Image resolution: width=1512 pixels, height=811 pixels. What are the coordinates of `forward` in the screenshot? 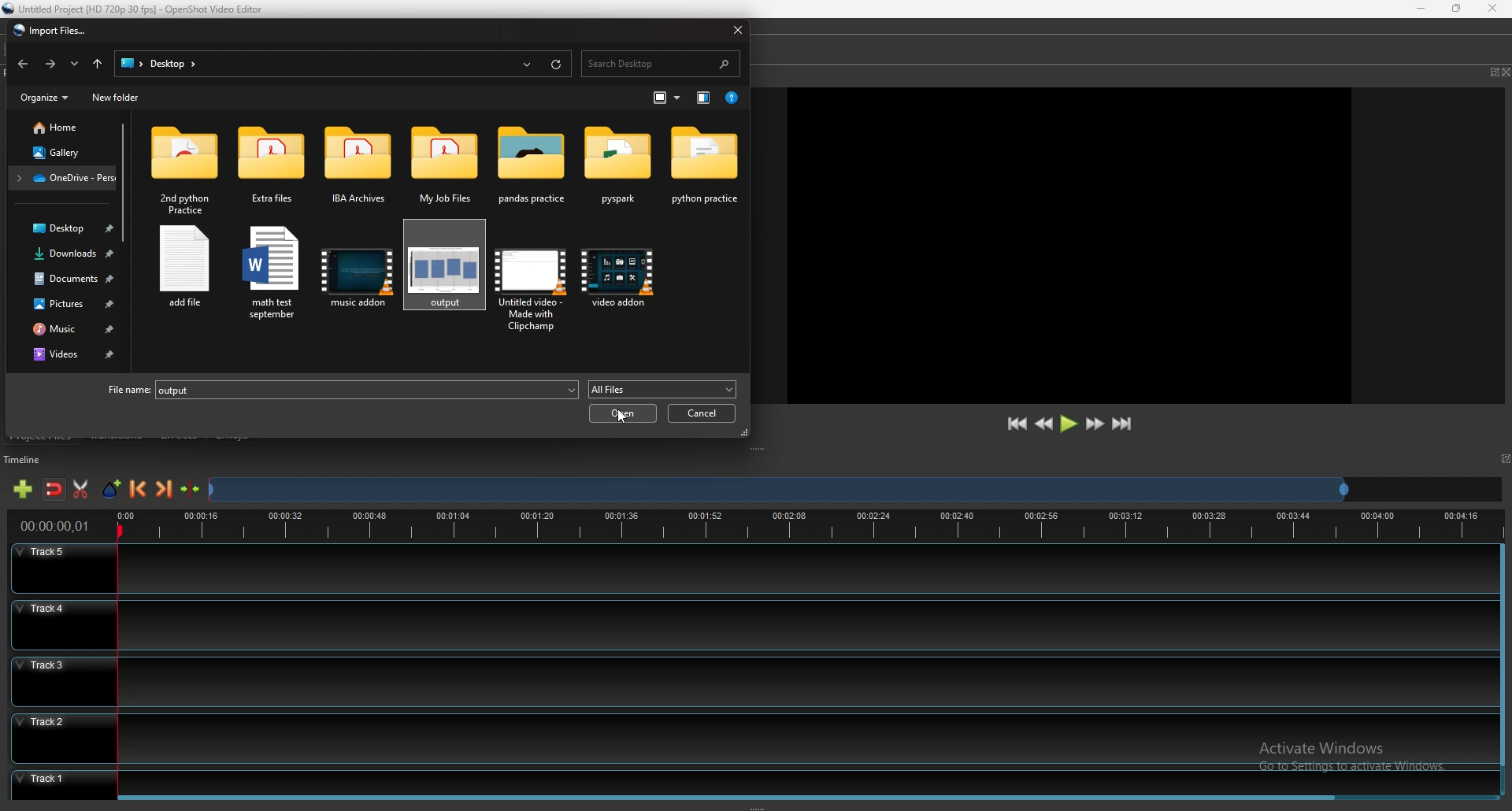 It's located at (50, 64).